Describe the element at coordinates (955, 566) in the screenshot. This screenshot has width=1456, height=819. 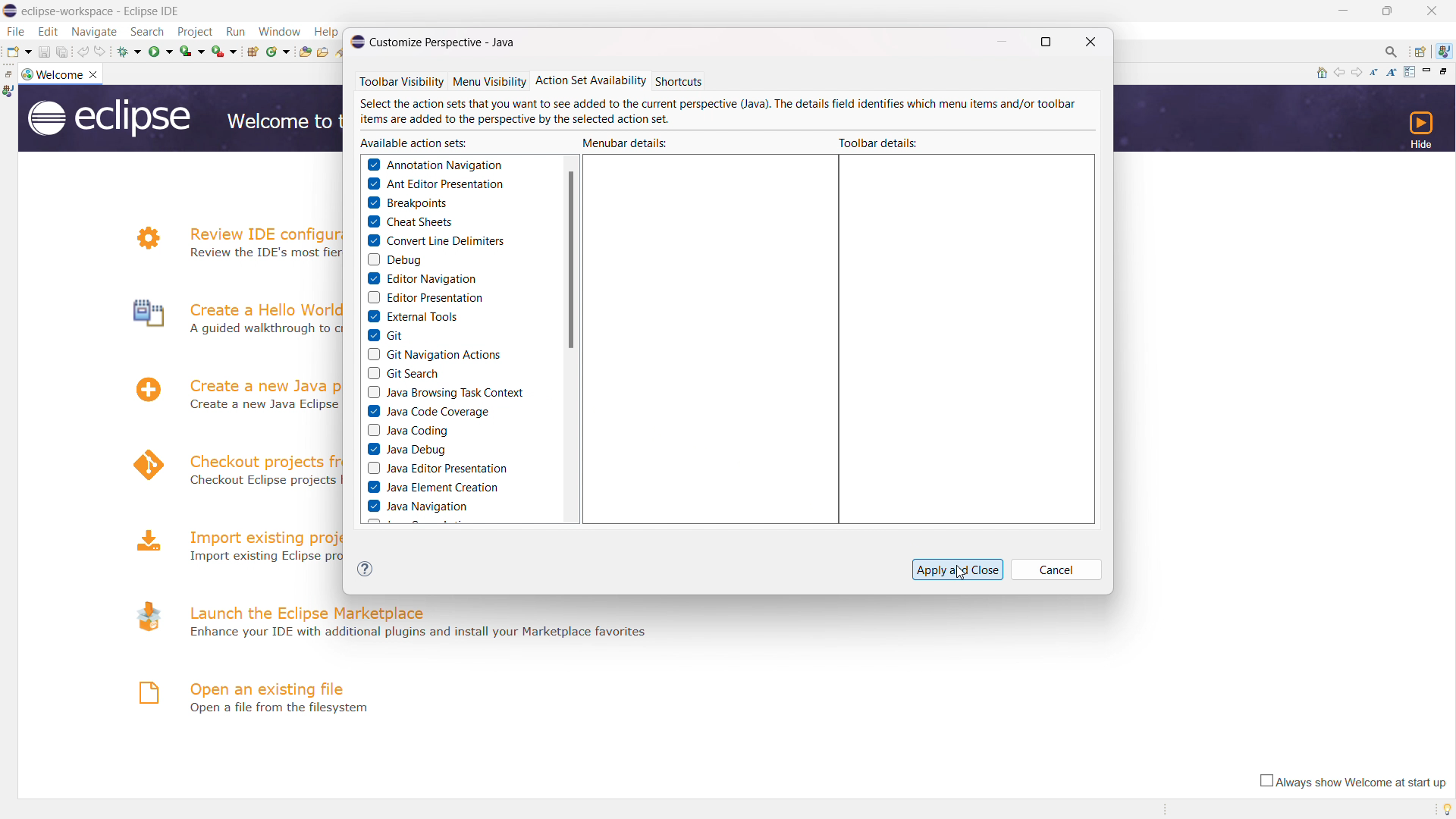
I see `Apply and Close` at that location.